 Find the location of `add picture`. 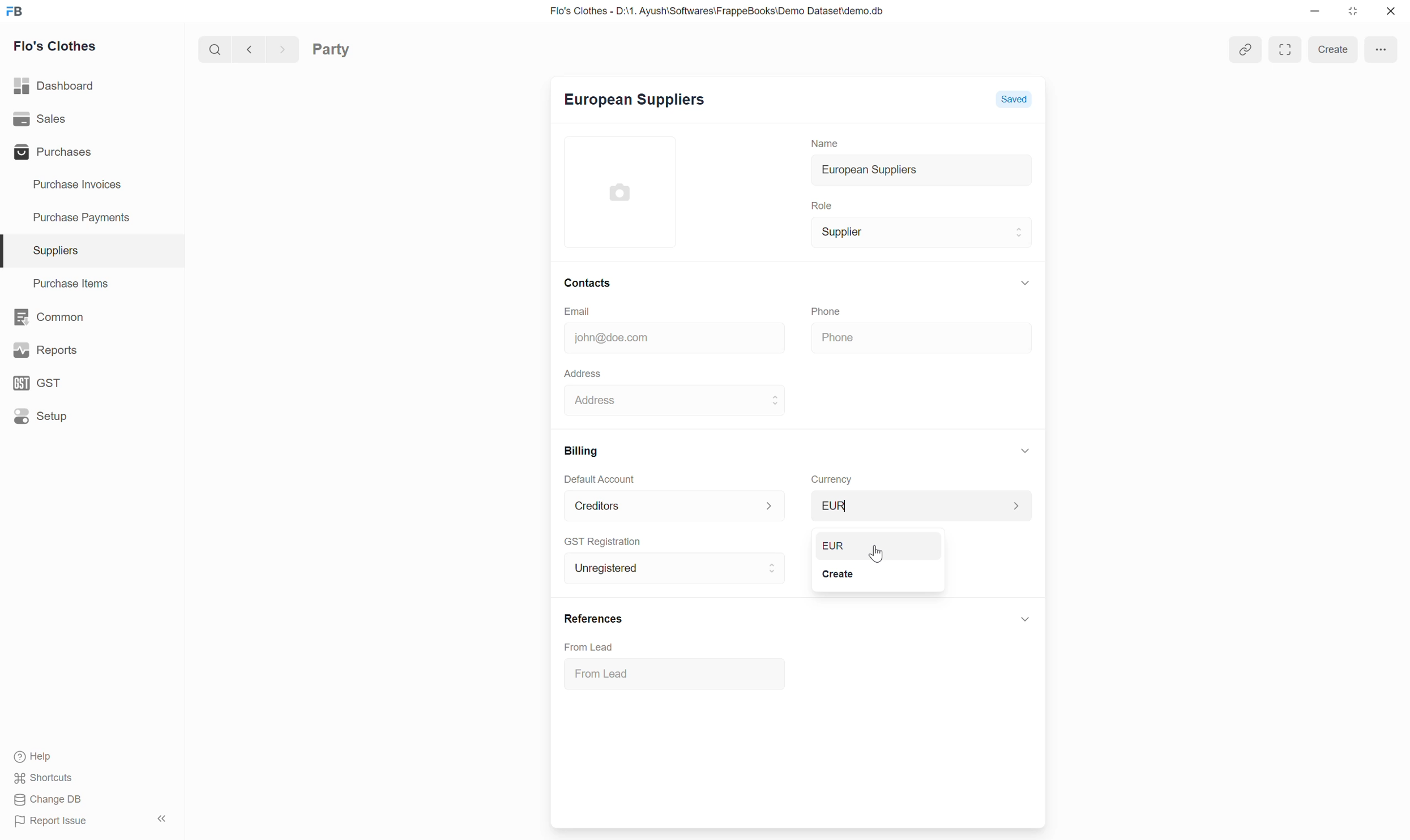

add picture is located at coordinates (630, 190).